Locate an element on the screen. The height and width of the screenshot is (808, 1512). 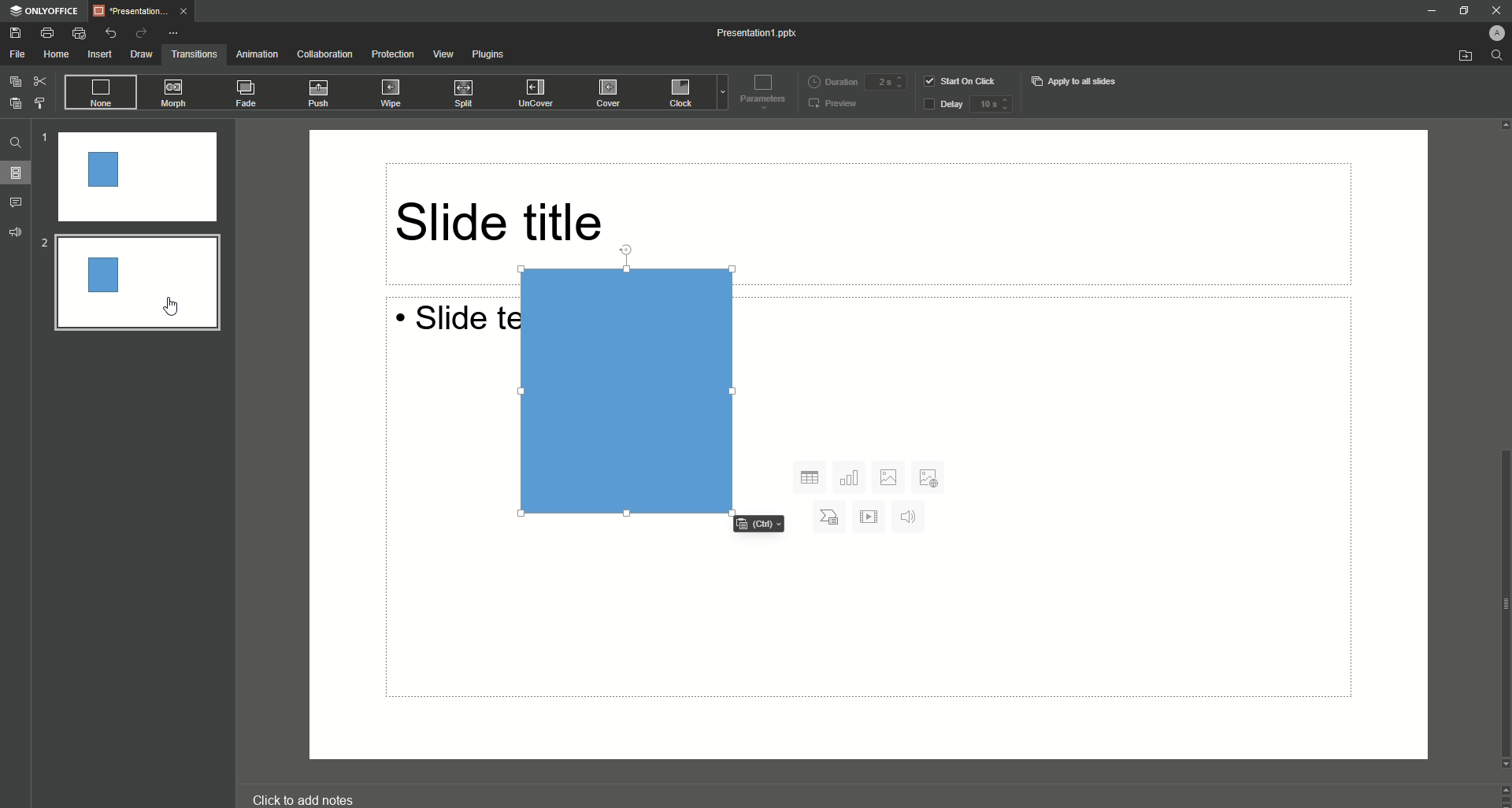
Push is located at coordinates (318, 92).